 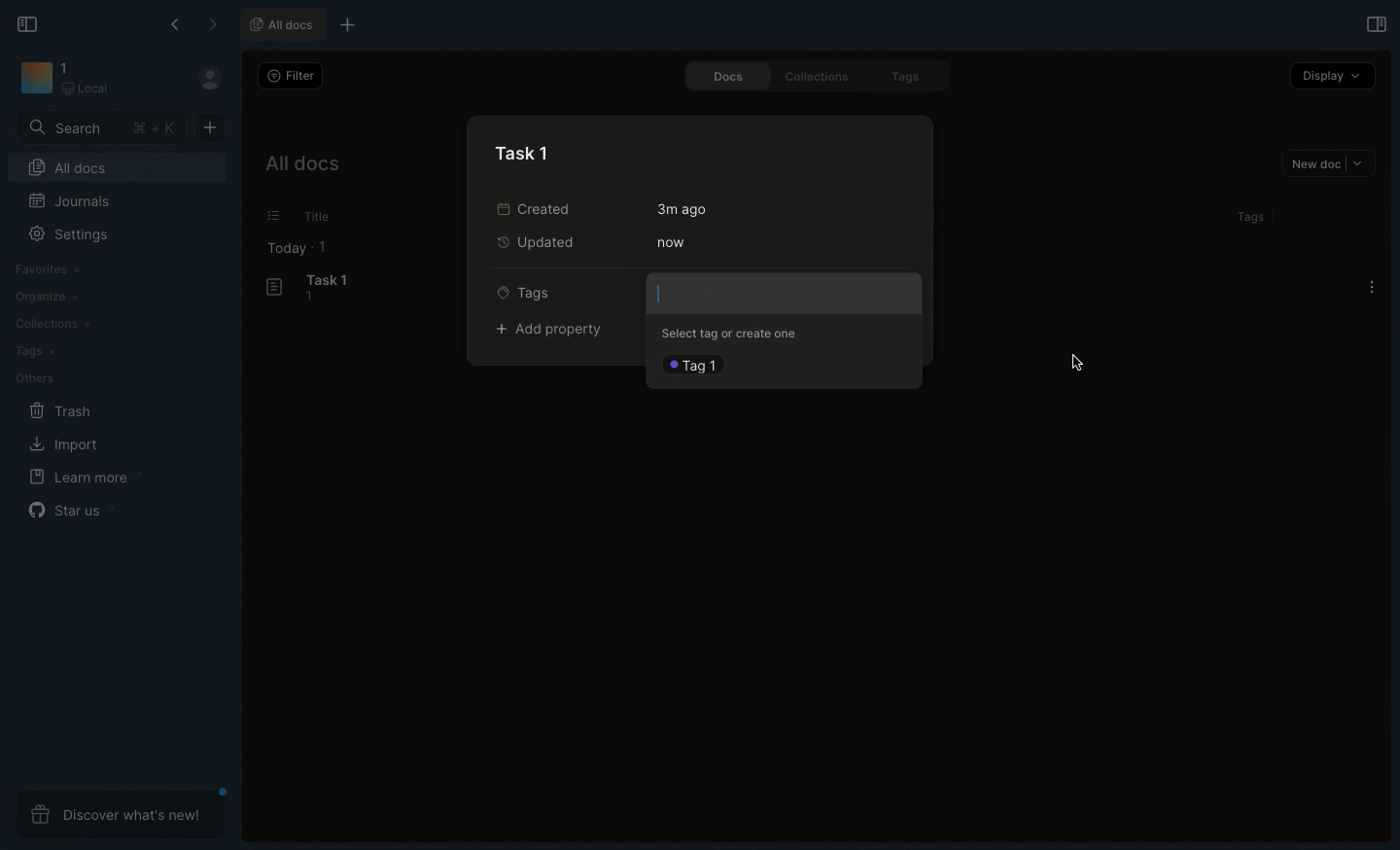 I want to click on New doc, so click(x=210, y=128).